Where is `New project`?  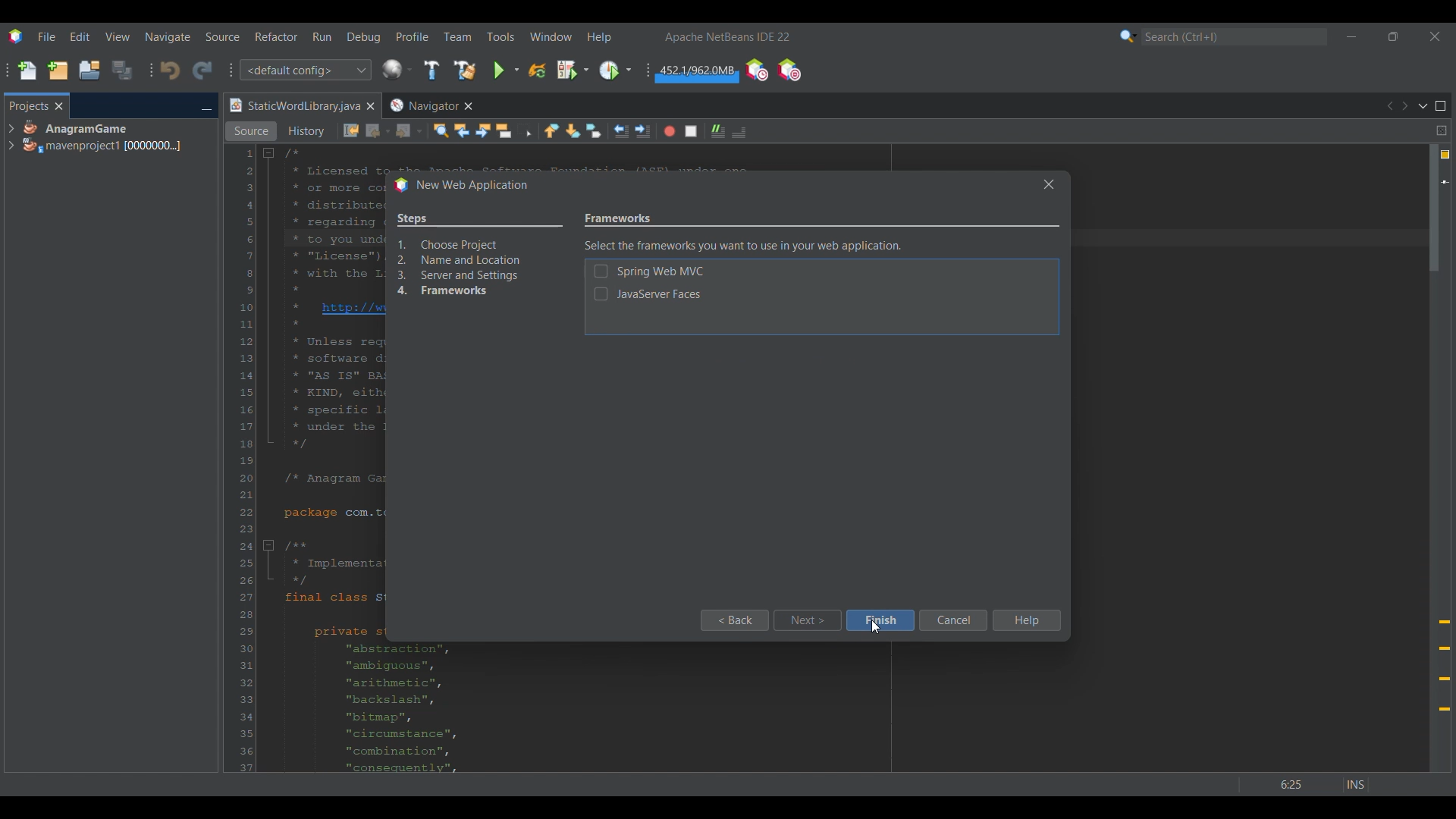
New project is located at coordinates (58, 70).